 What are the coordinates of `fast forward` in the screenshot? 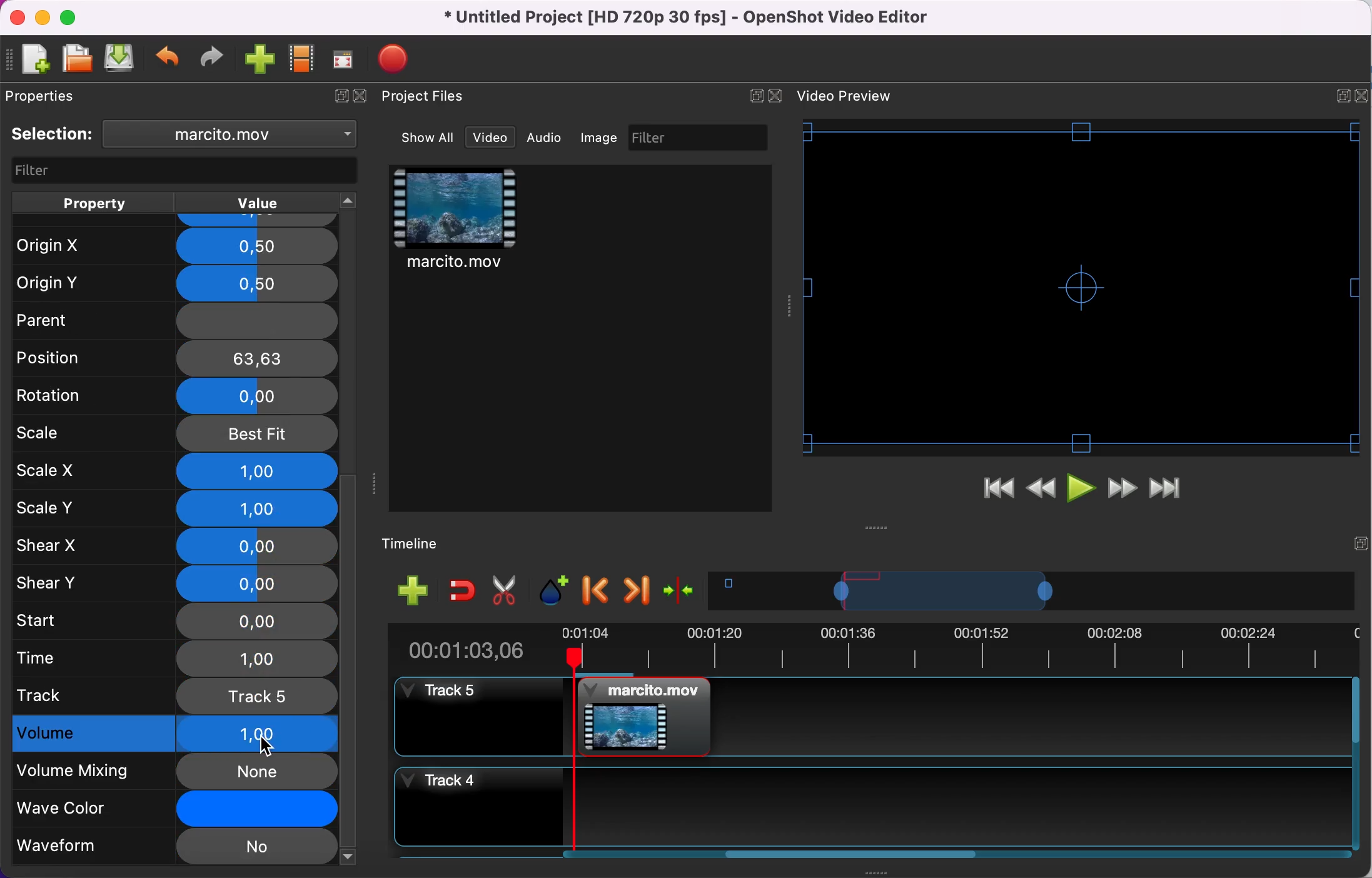 It's located at (1122, 490).